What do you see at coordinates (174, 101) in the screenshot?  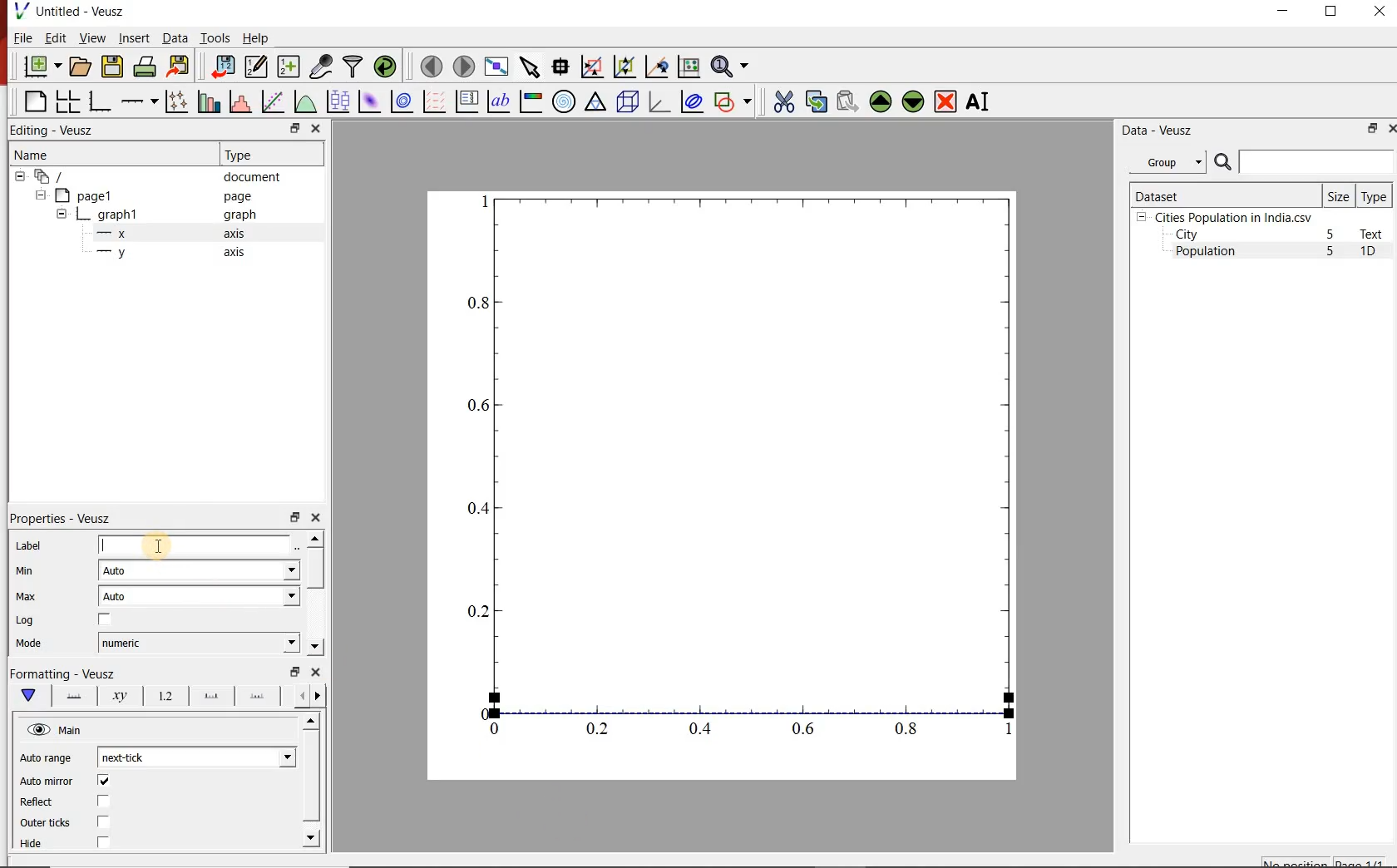 I see `plot points with lines and errorbars` at bounding box center [174, 101].